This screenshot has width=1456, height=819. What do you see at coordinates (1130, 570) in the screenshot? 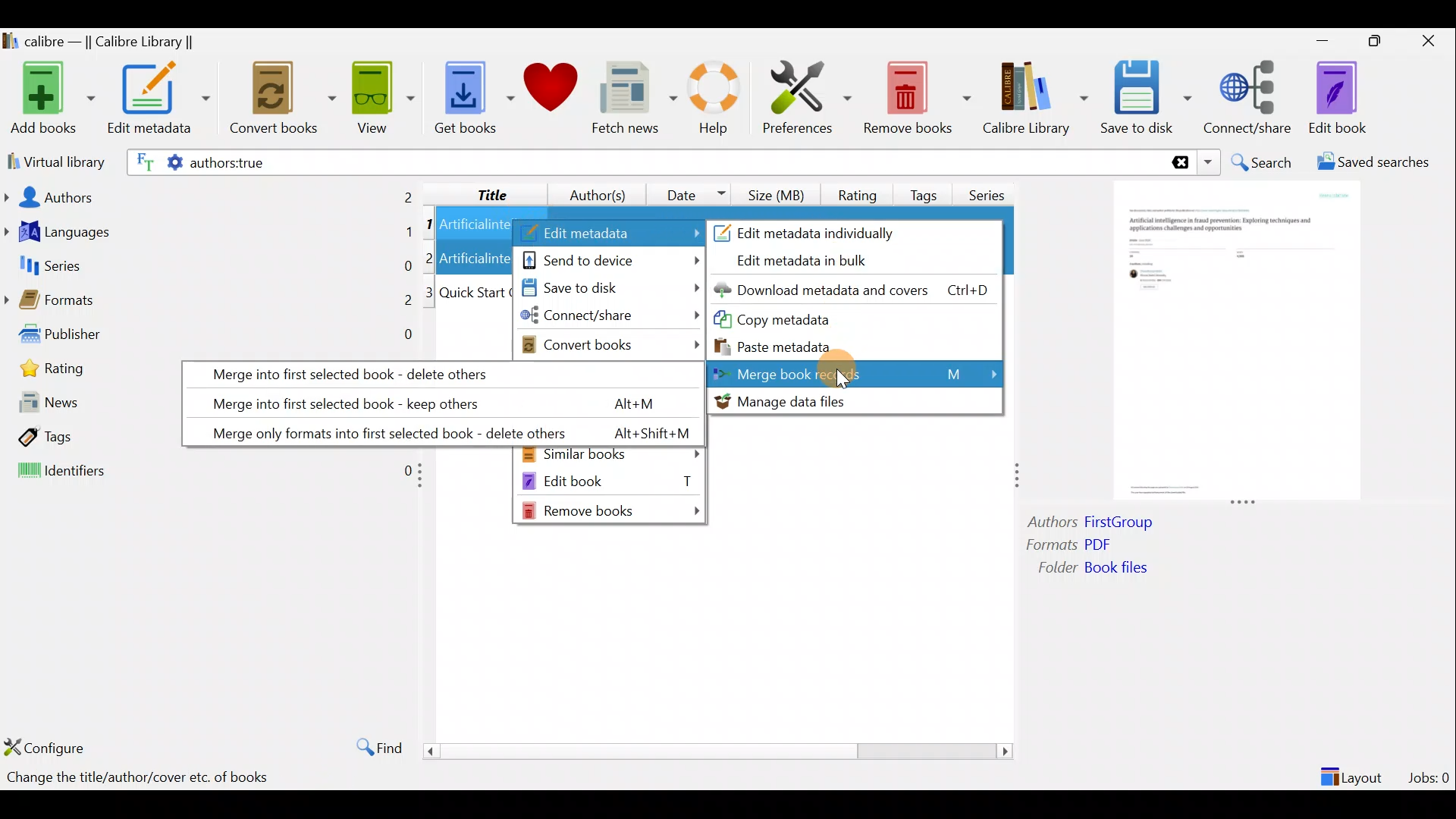
I see `Folder: Book files` at bounding box center [1130, 570].